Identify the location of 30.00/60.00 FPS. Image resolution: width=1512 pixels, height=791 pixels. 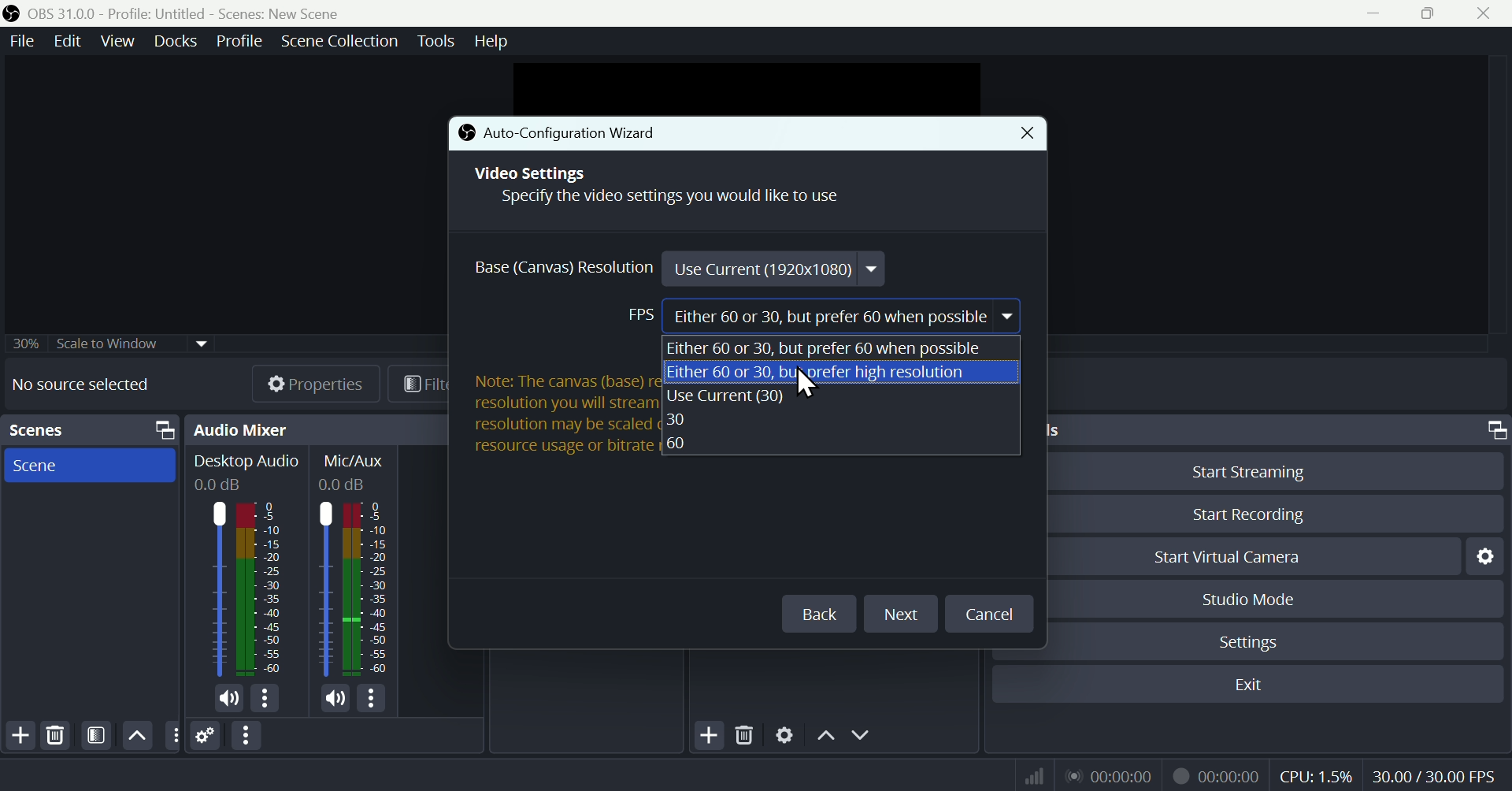
(1438, 772).